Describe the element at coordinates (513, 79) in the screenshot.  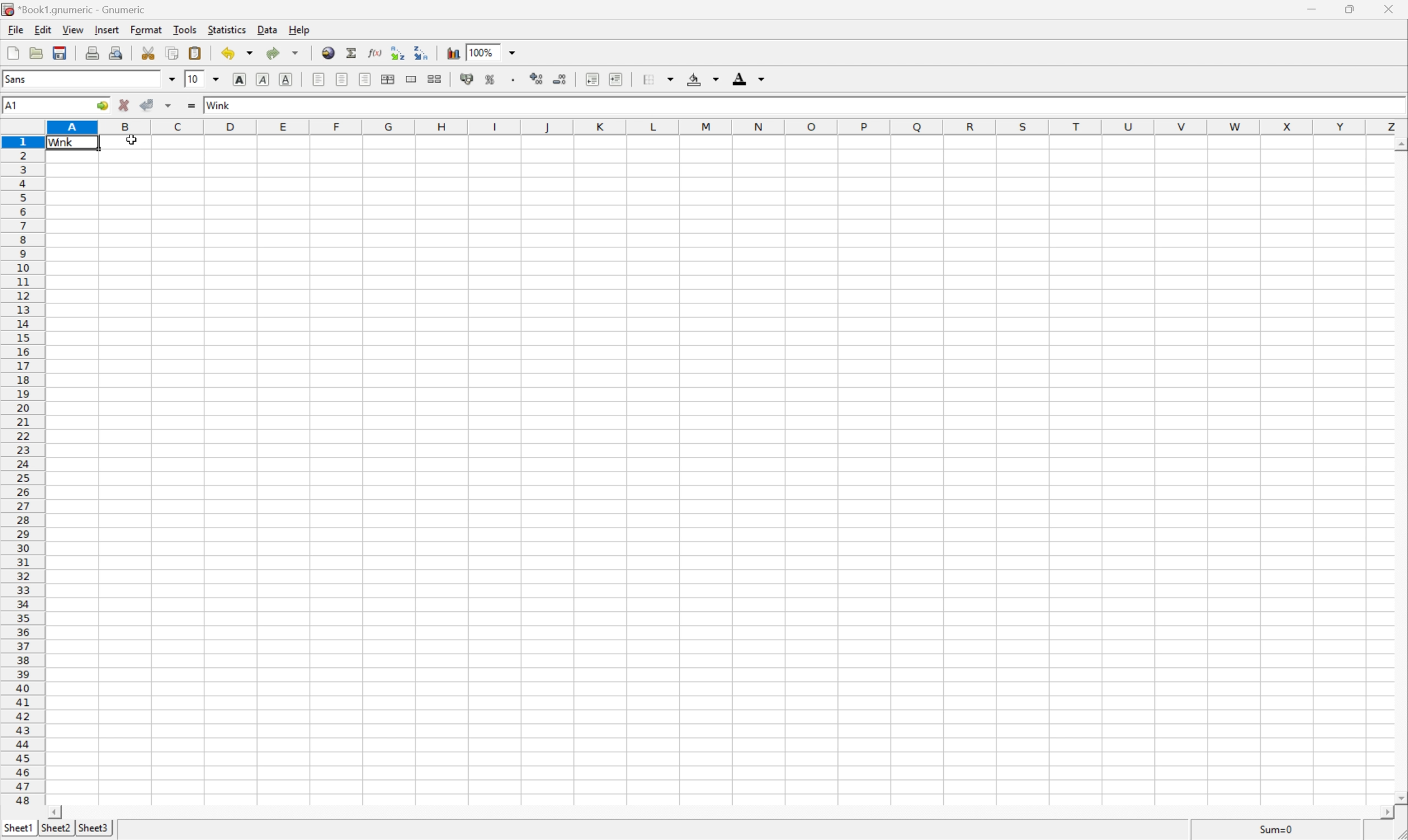
I see `Set the format of the selected cells to include a thousands separator` at that location.